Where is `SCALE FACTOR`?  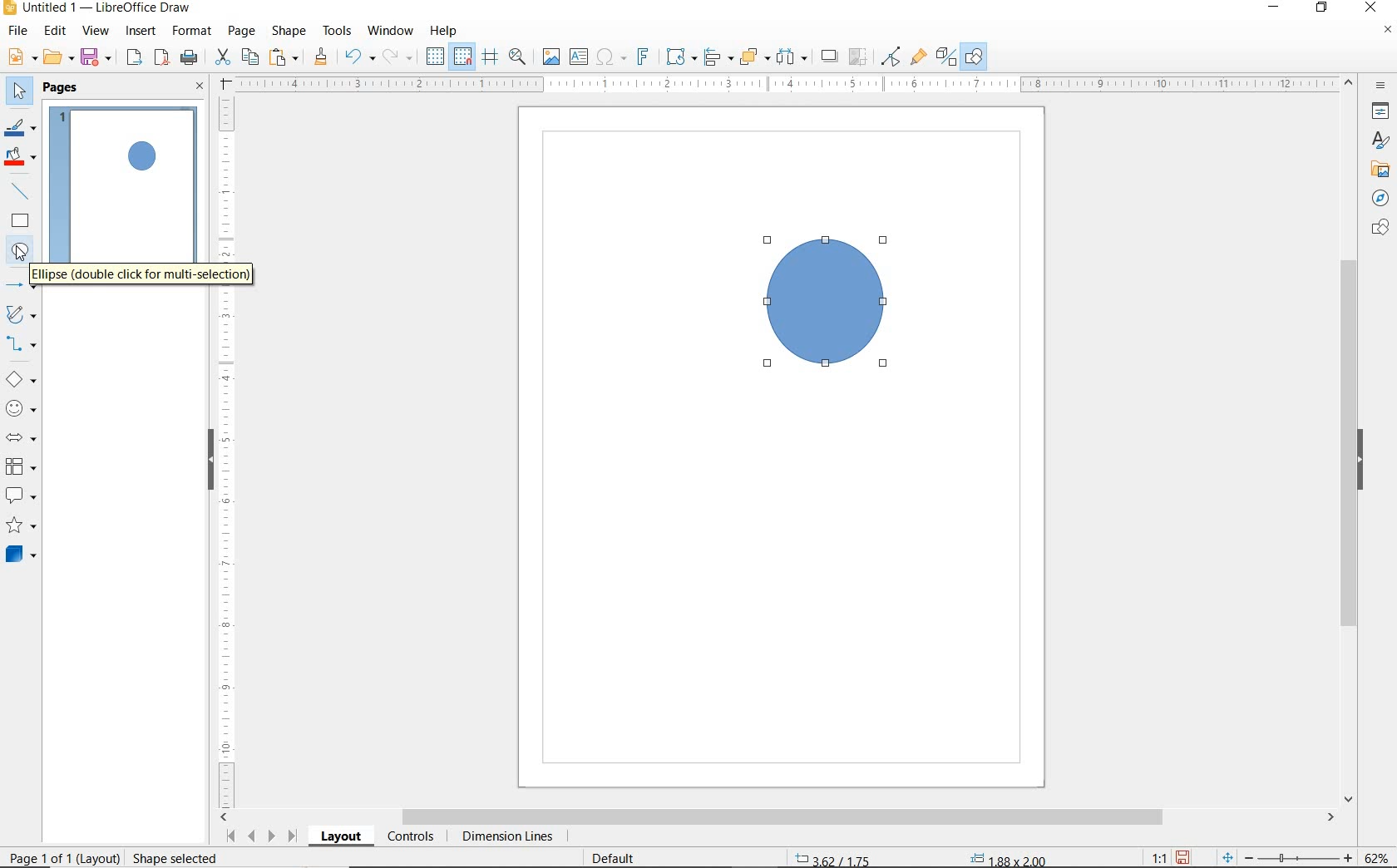
SCALE FACTOR is located at coordinates (1151, 857).